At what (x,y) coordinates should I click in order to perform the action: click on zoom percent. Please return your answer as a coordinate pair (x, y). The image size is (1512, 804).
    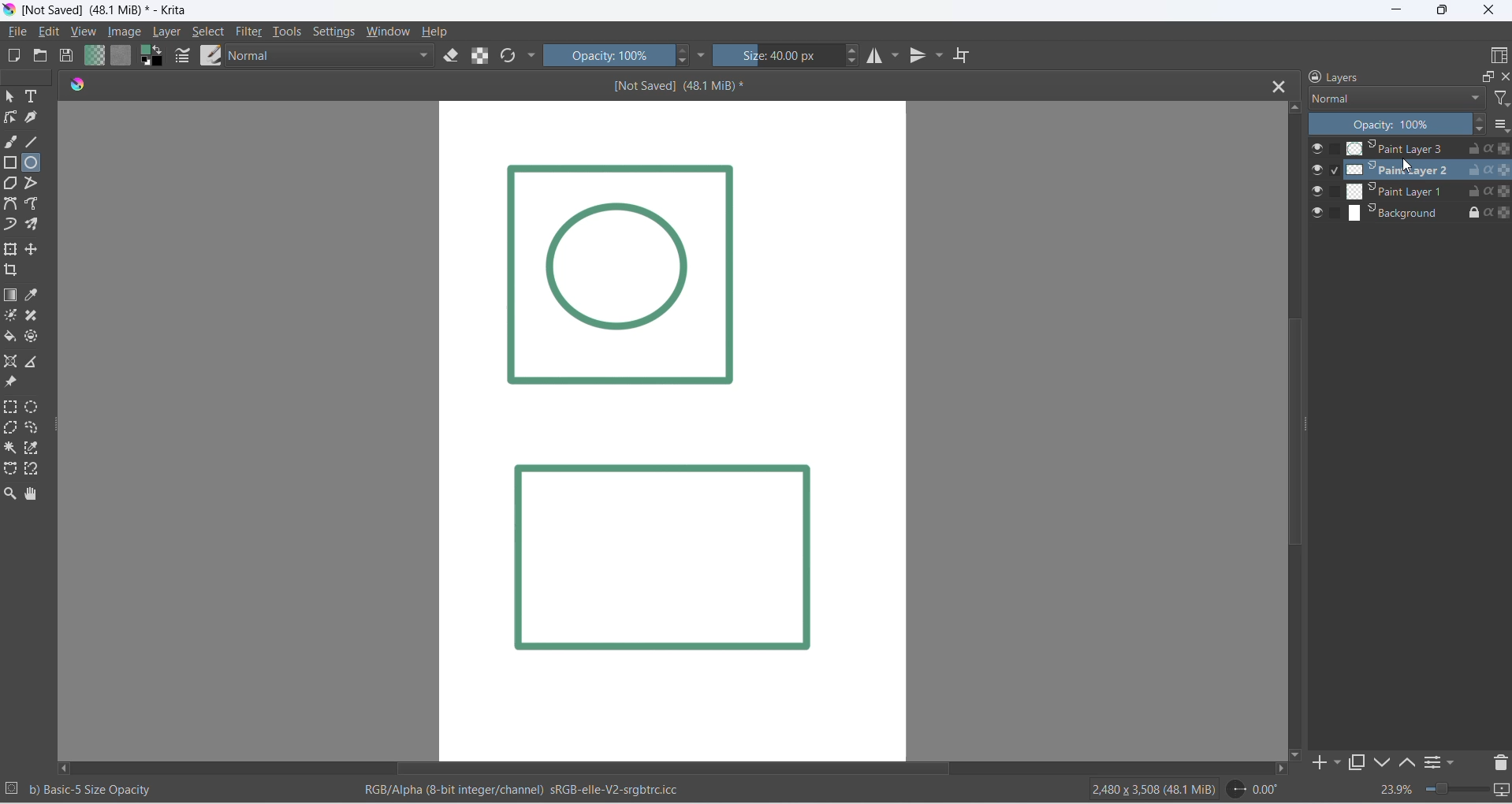
    Looking at the image, I should click on (1396, 791).